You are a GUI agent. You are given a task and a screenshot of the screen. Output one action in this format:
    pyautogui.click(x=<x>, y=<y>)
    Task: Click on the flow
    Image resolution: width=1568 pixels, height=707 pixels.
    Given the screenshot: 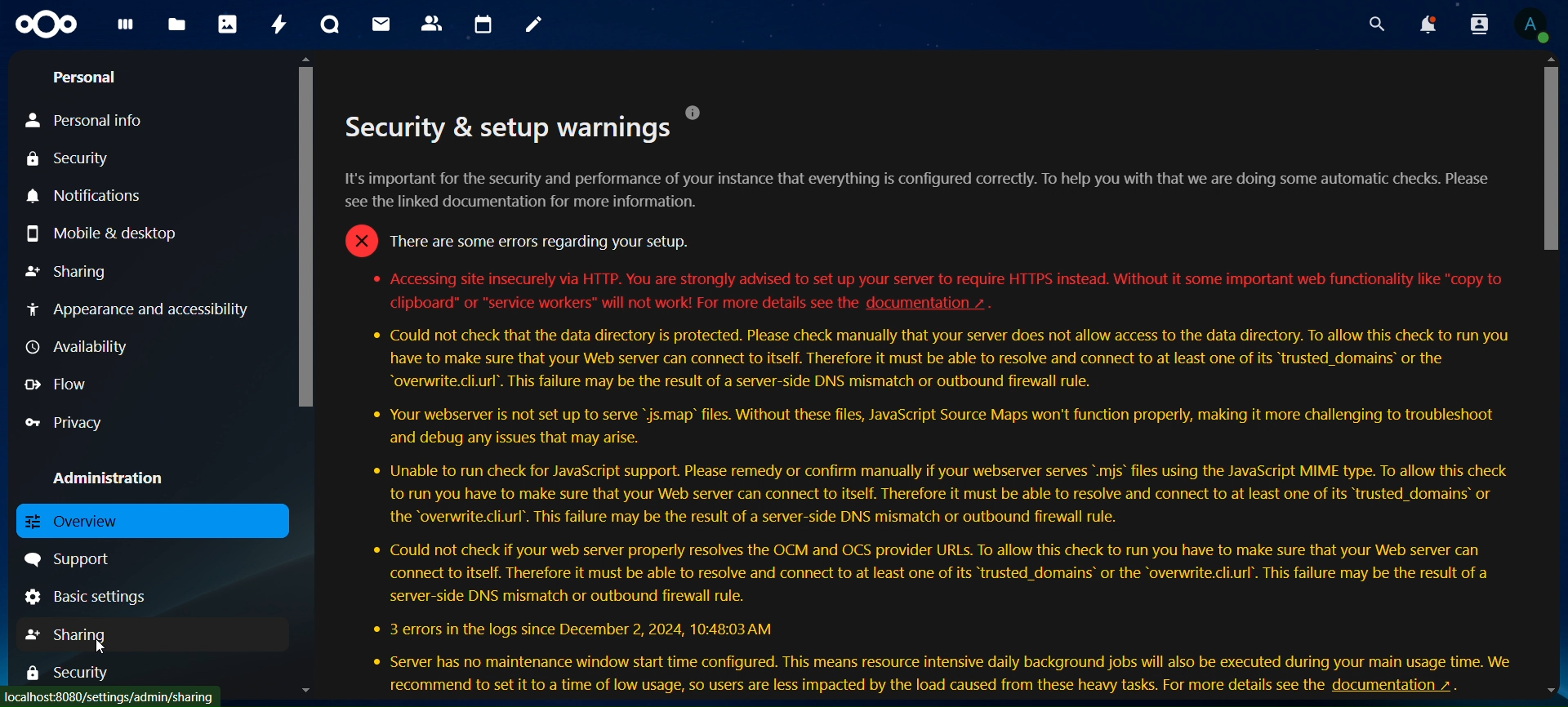 What is the action you would take?
    pyautogui.click(x=61, y=383)
    